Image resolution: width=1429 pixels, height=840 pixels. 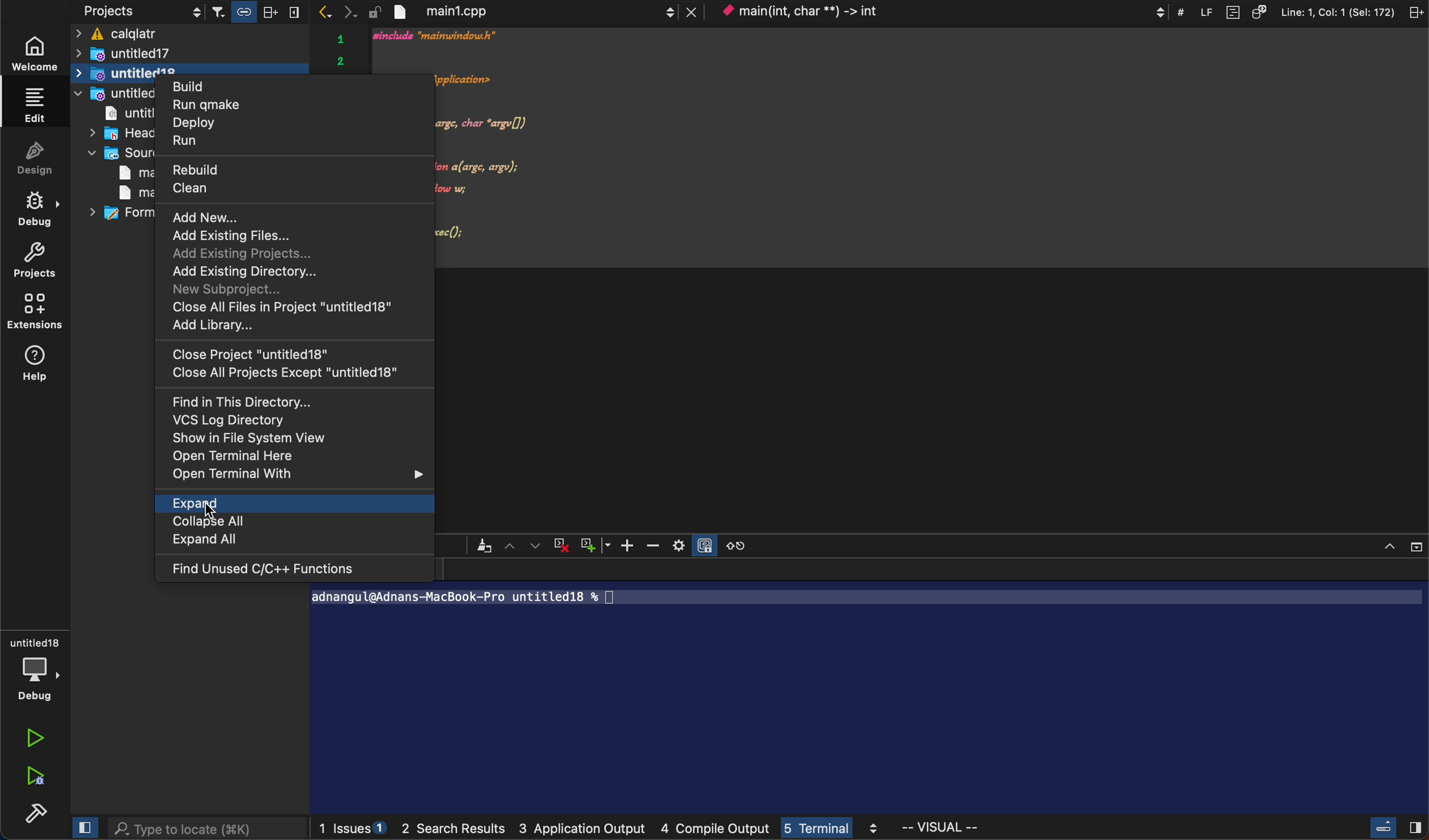 I want to click on plus, so click(x=596, y=545).